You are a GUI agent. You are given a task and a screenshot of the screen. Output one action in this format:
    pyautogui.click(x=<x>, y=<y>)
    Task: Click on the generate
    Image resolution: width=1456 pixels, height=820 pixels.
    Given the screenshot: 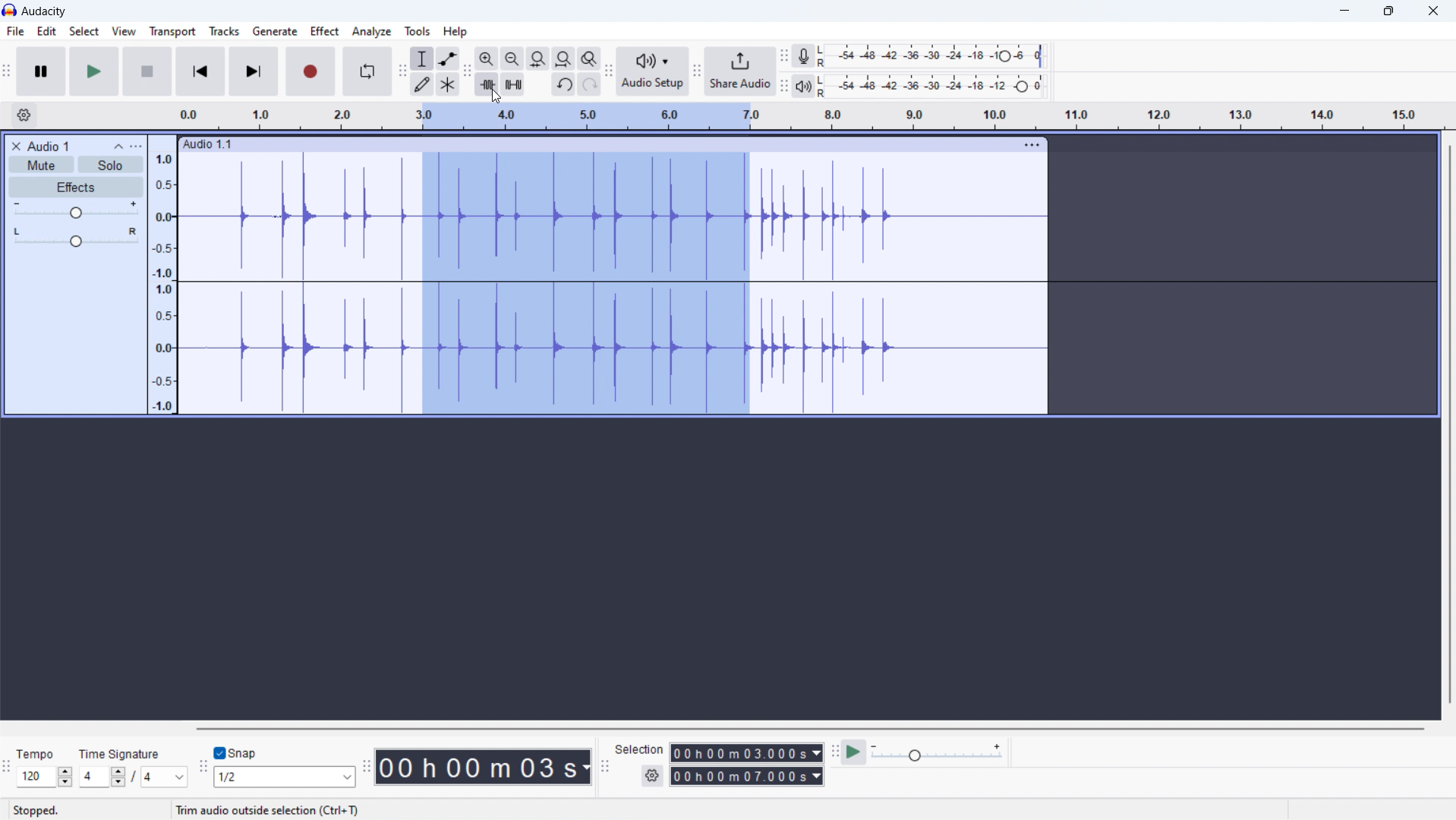 What is the action you would take?
    pyautogui.click(x=275, y=31)
    